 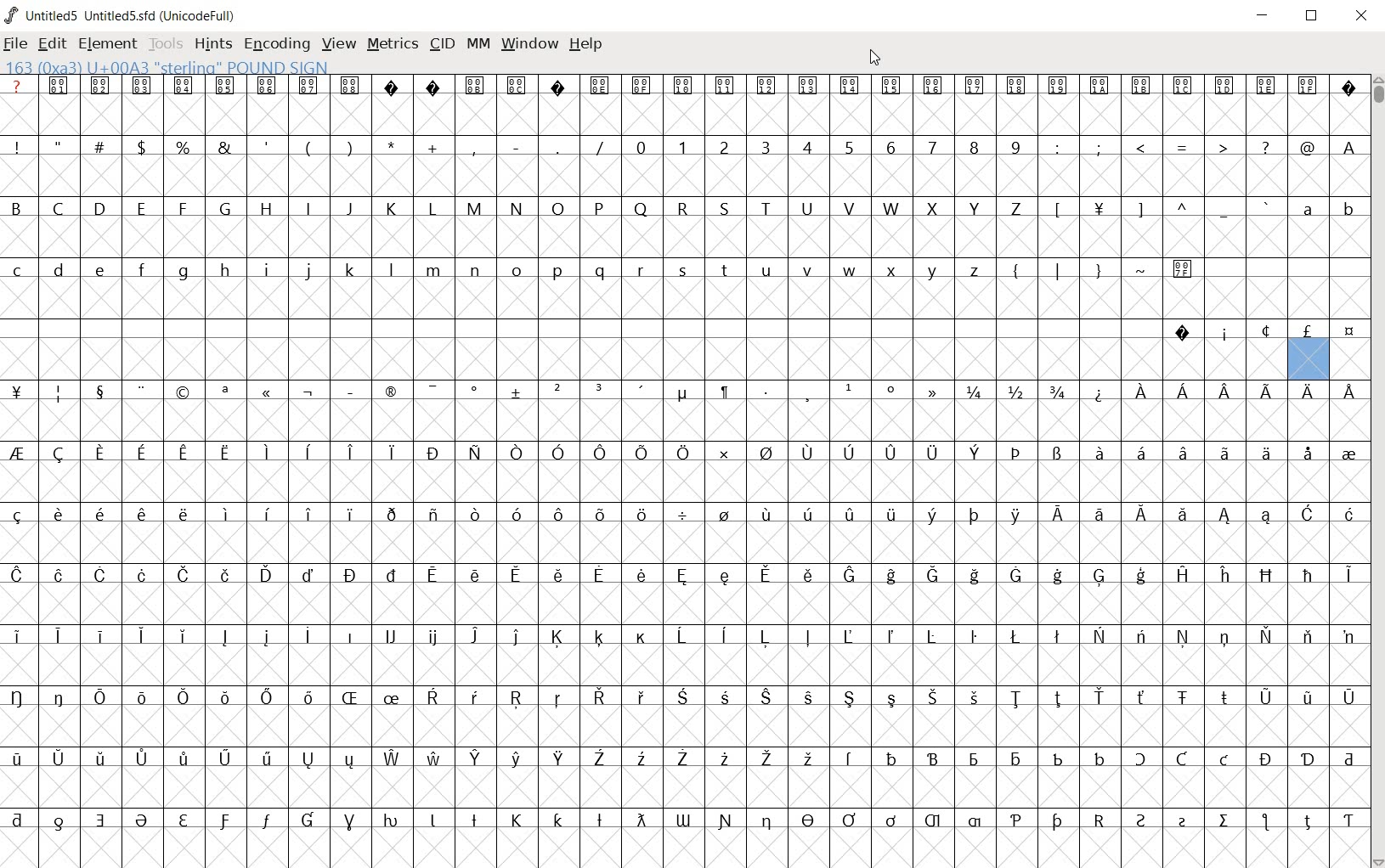 I want to click on Q, so click(x=638, y=209).